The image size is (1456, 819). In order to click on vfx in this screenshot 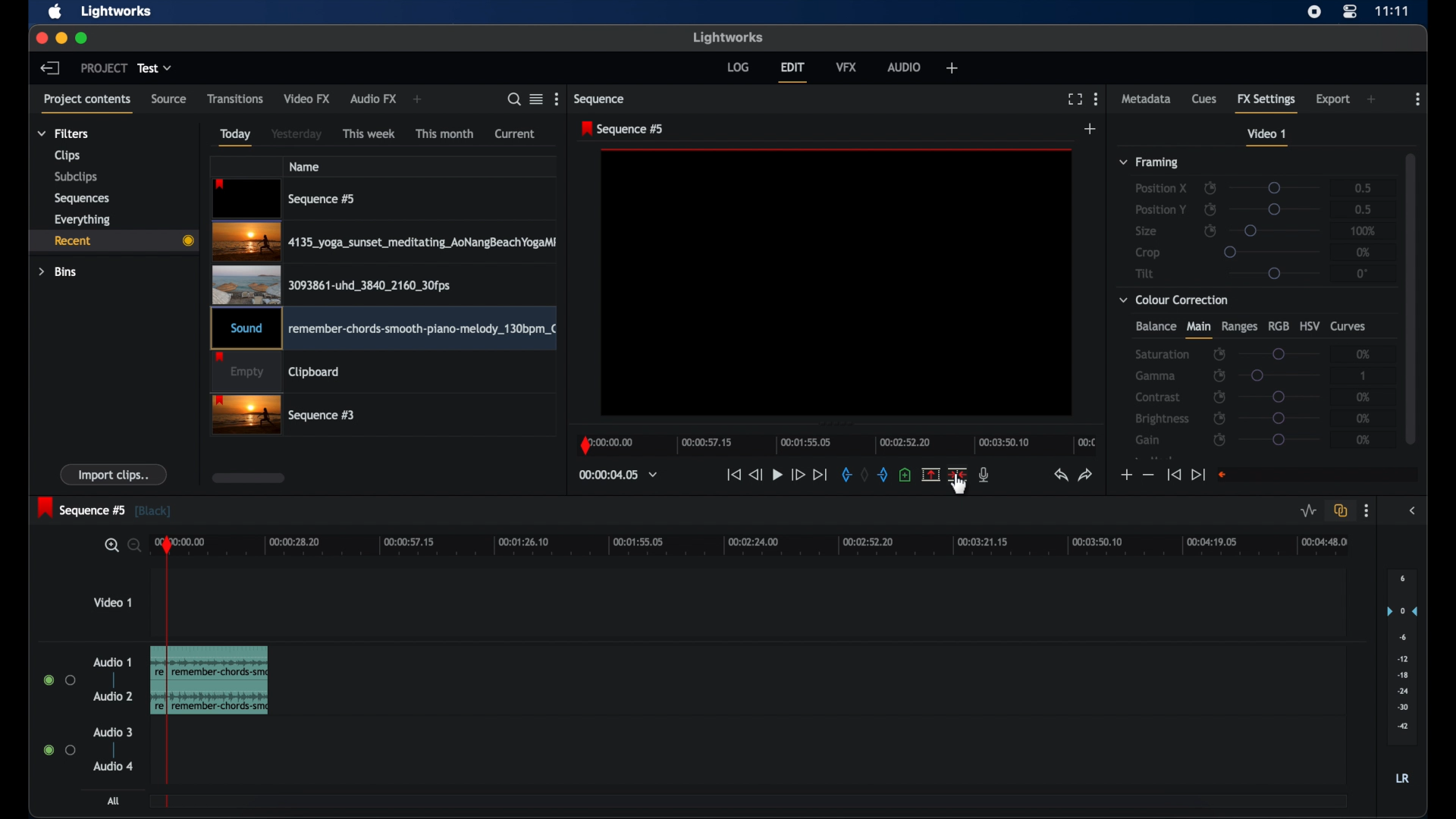, I will do `click(846, 67)`.